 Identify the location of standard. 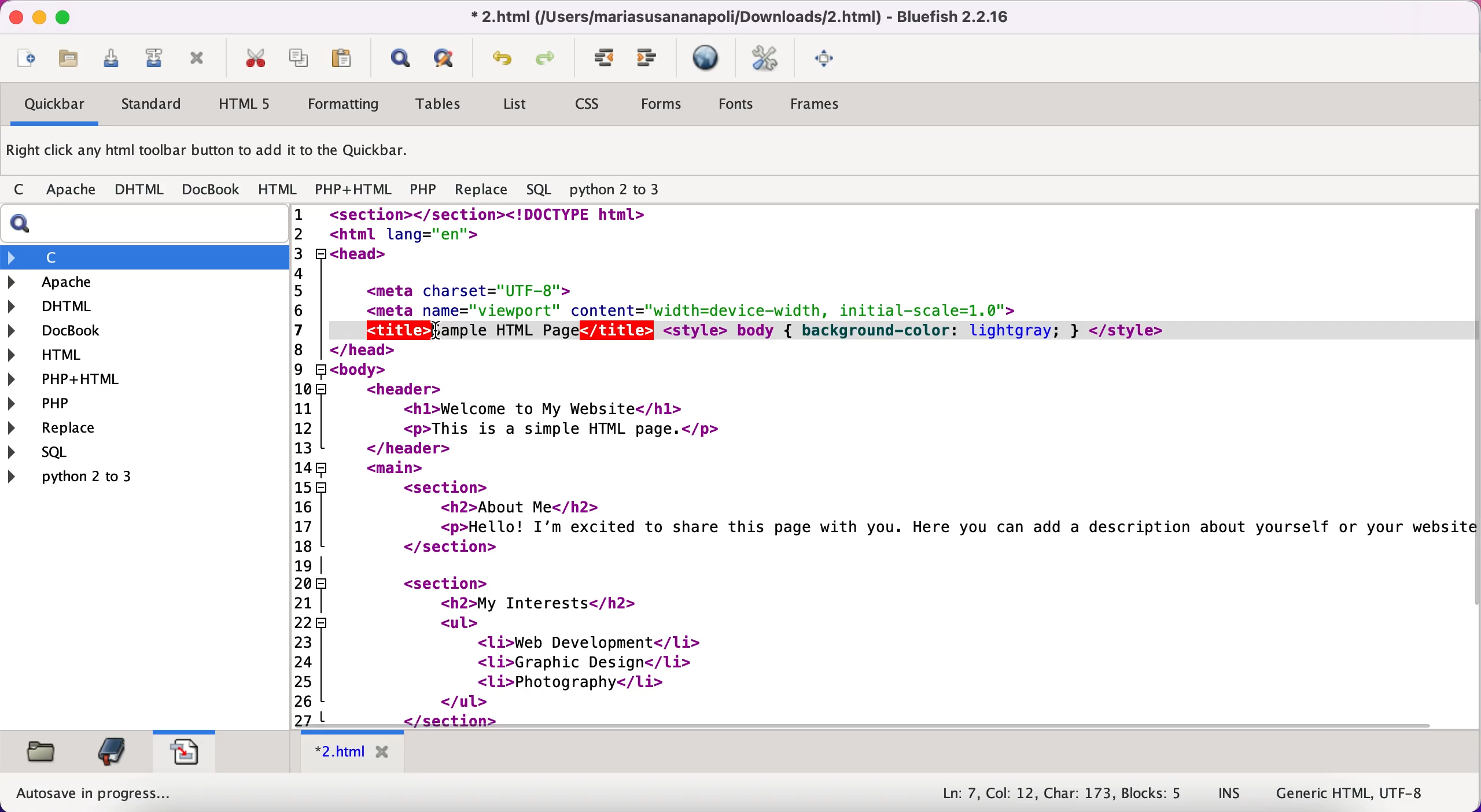
(153, 106).